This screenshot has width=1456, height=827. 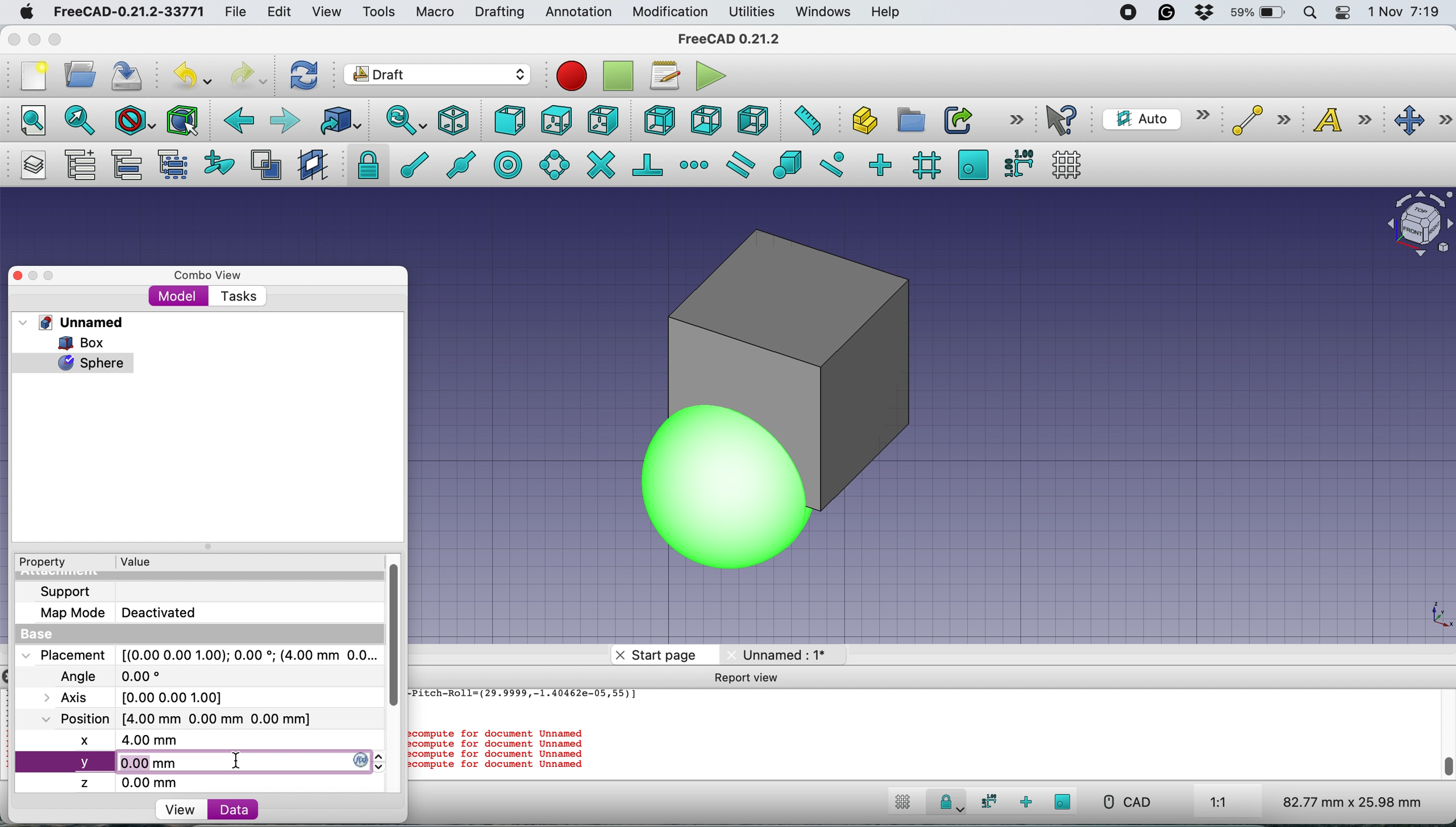 I want to click on close tab, so click(x=619, y=654).